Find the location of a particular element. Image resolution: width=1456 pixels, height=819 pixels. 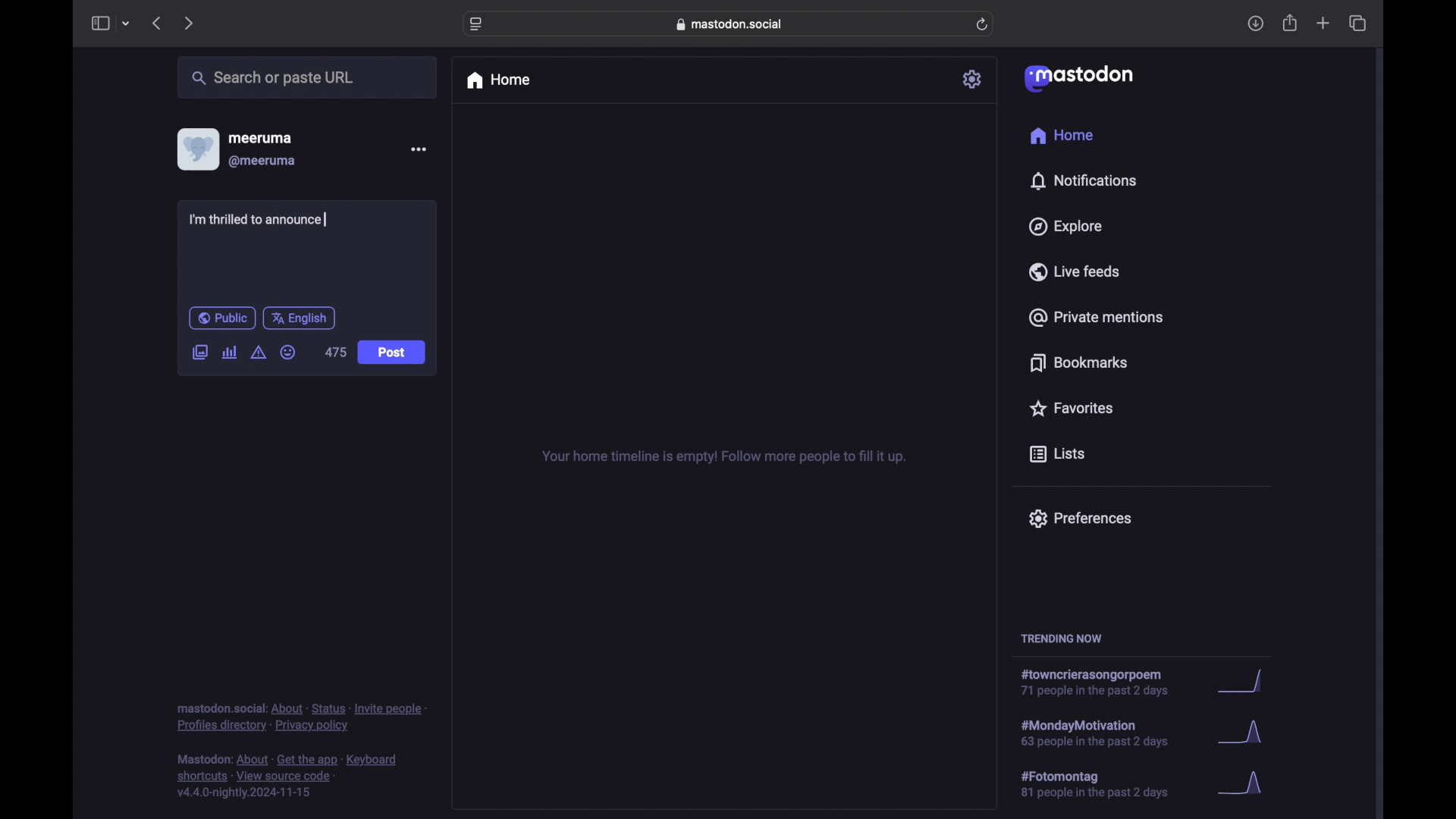

graph is located at coordinates (1244, 734).